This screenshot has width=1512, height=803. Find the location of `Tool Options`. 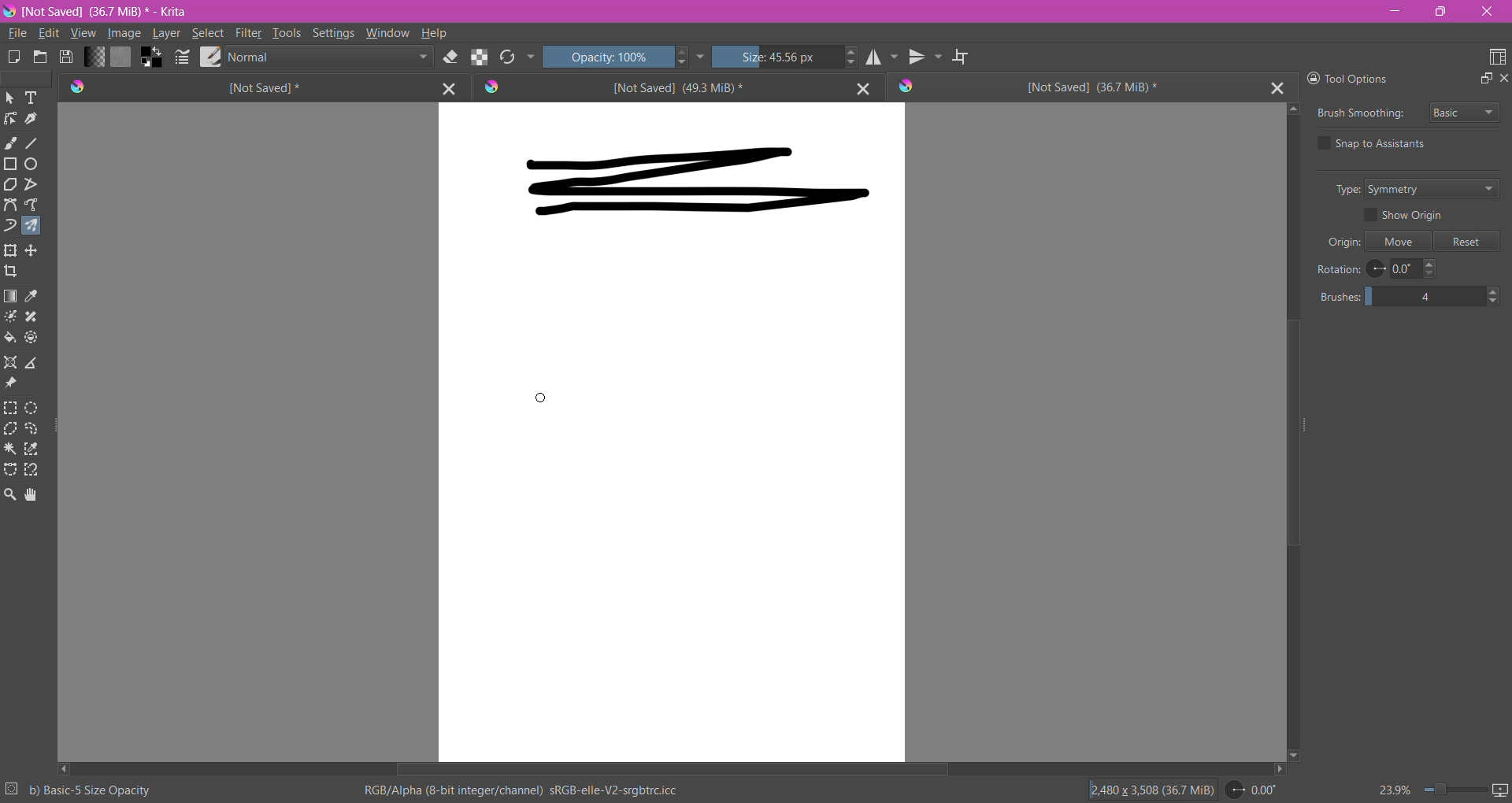

Tool Options is located at coordinates (1358, 77).